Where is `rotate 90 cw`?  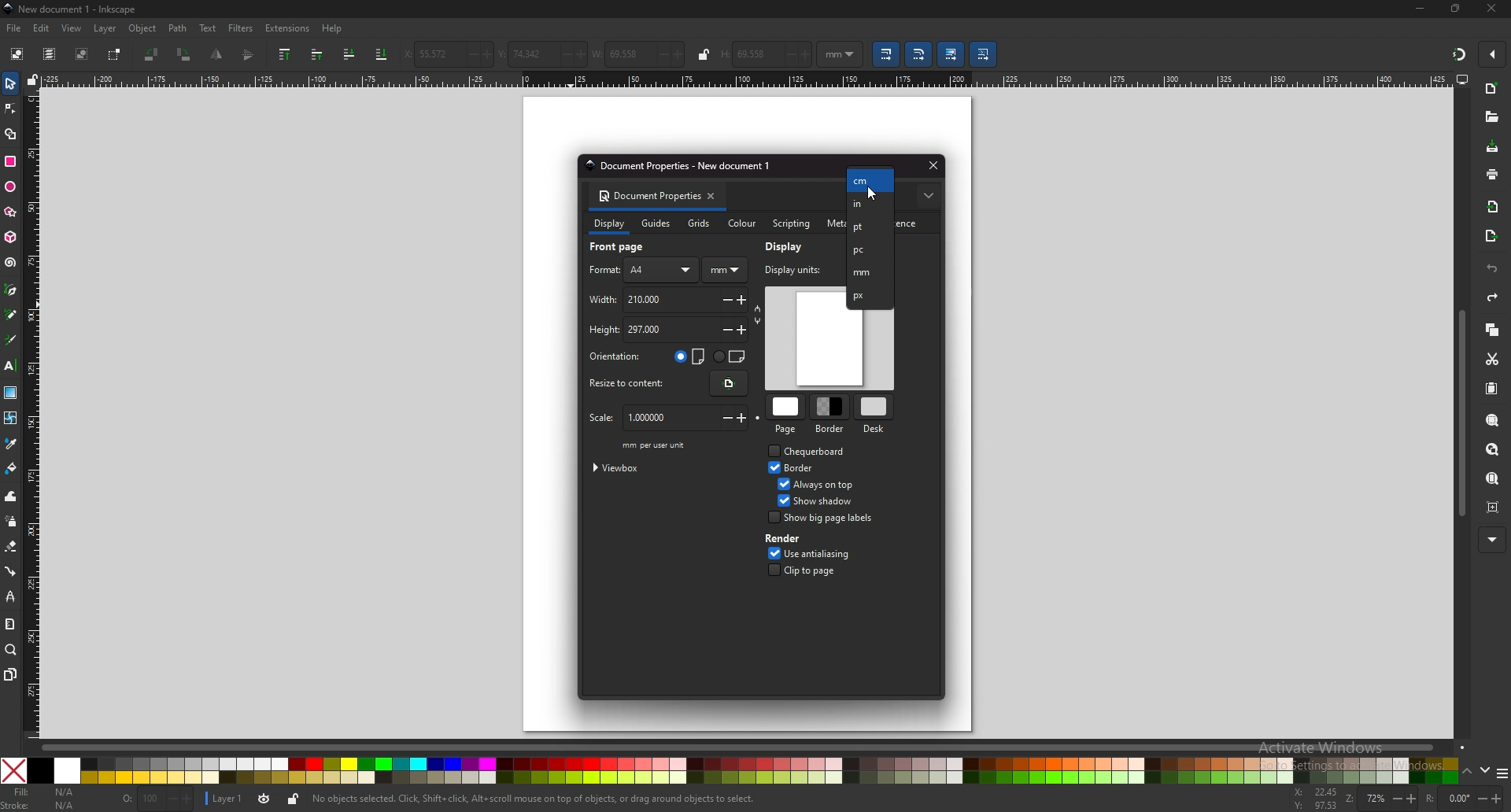
rotate 90 cw is located at coordinates (185, 56).